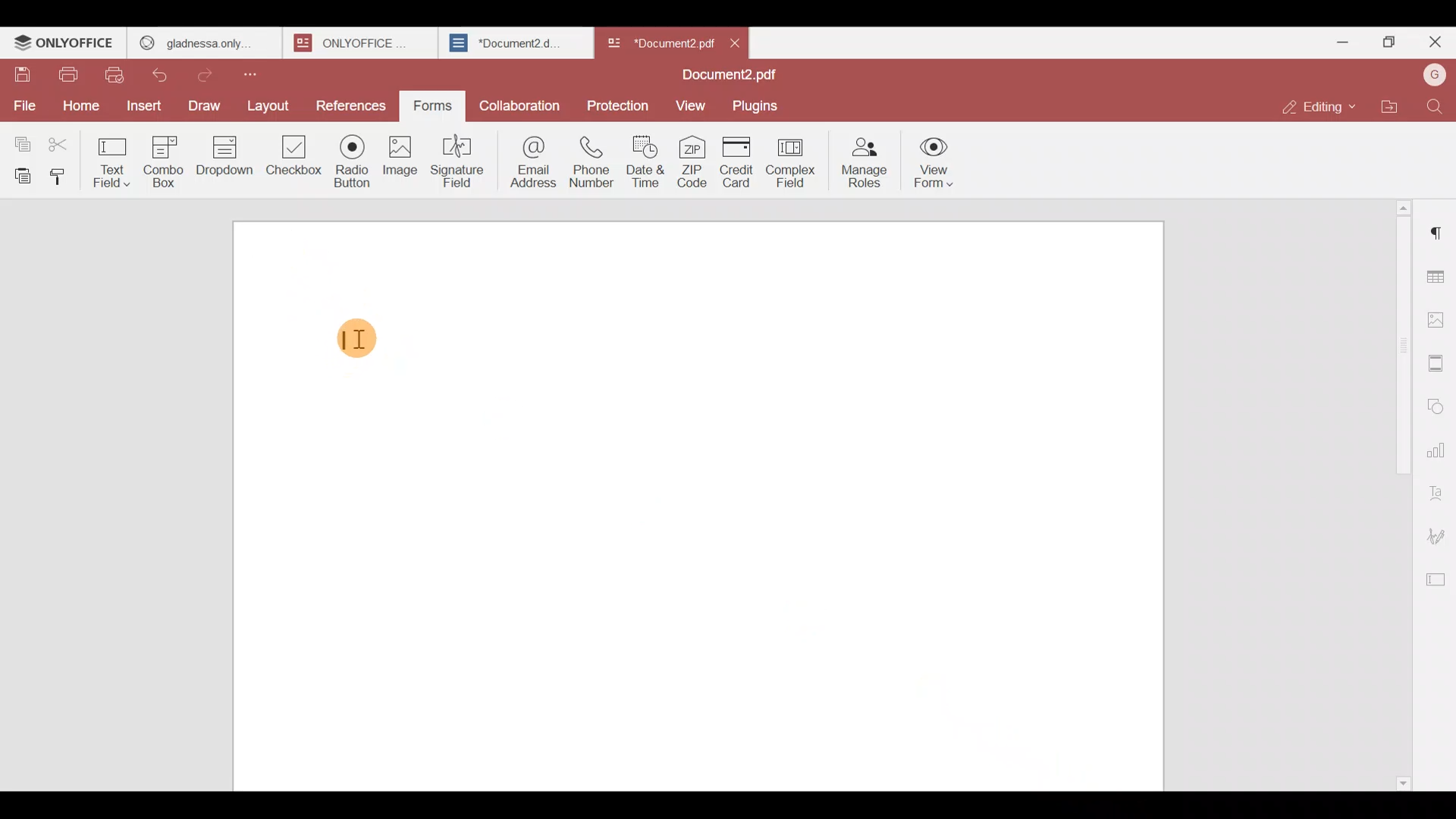 The height and width of the screenshot is (819, 1456). Describe the element at coordinates (427, 106) in the screenshot. I see `Forms` at that location.